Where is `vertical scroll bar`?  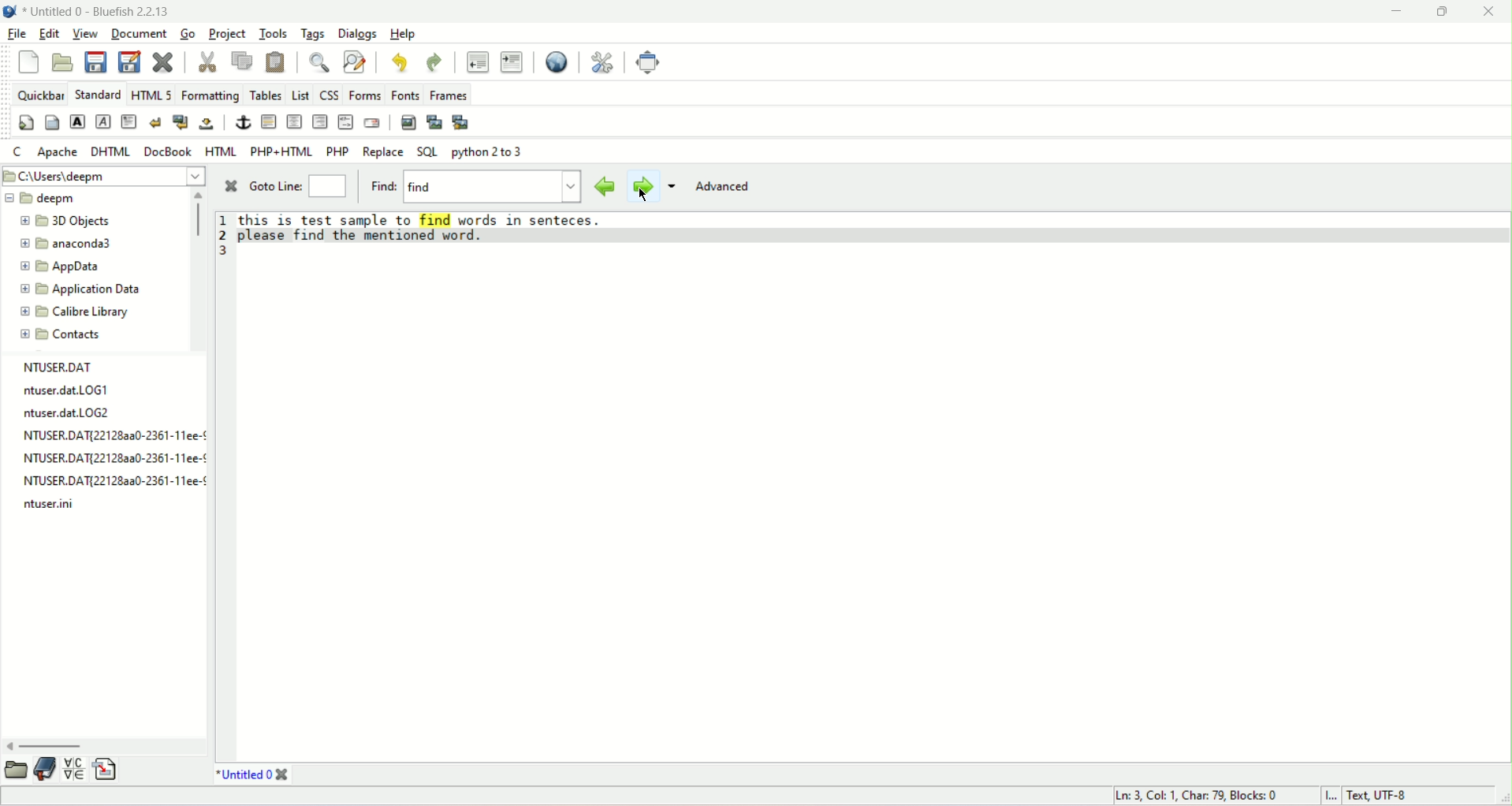 vertical scroll bar is located at coordinates (197, 223).